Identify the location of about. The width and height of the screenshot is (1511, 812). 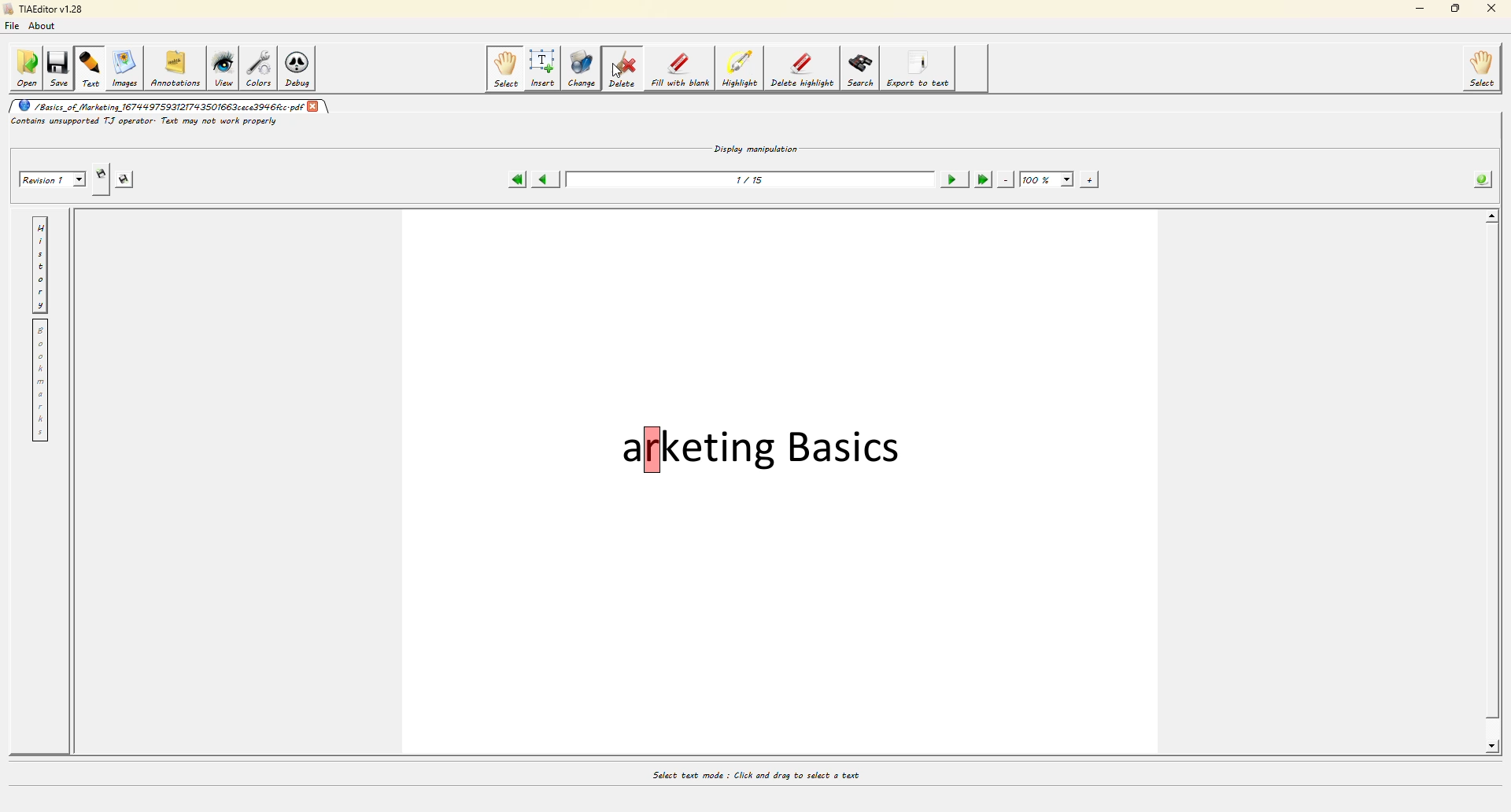
(46, 28).